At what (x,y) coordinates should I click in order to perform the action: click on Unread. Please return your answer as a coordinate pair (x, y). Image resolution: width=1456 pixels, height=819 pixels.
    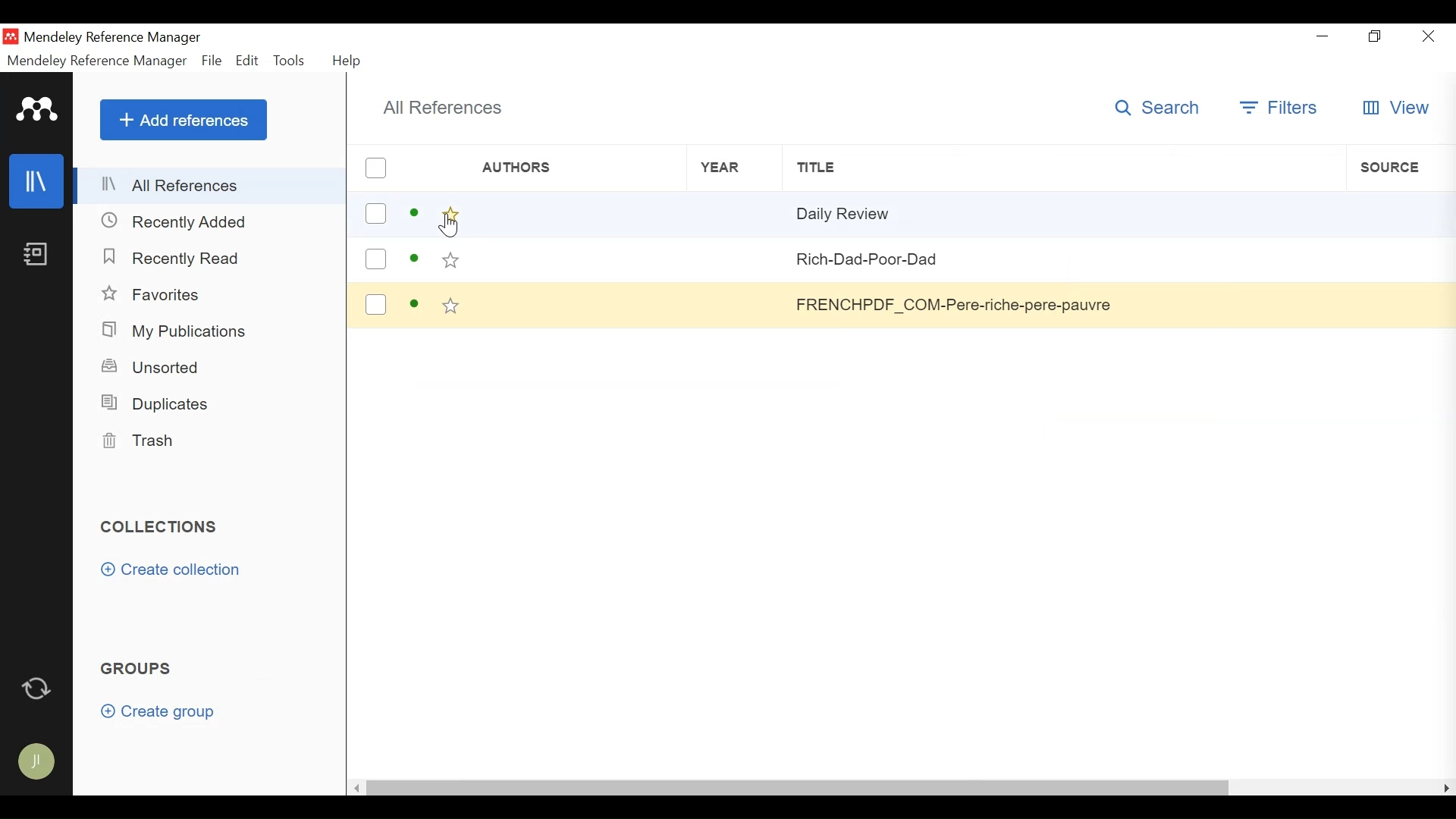
    Looking at the image, I should click on (414, 304).